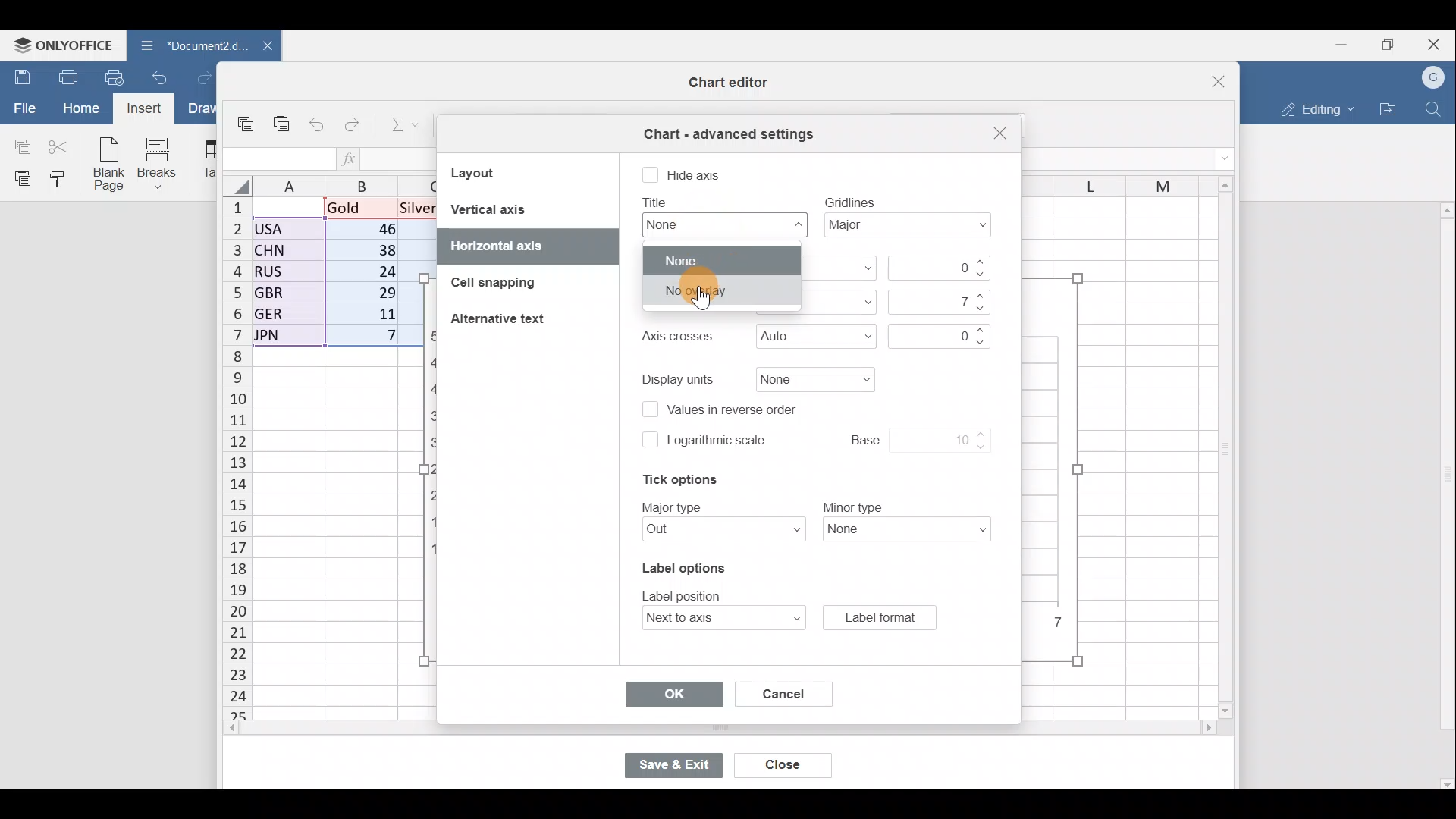 This screenshot has width=1456, height=819. Describe the element at coordinates (227, 460) in the screenshot. I see `Rows` at that location.